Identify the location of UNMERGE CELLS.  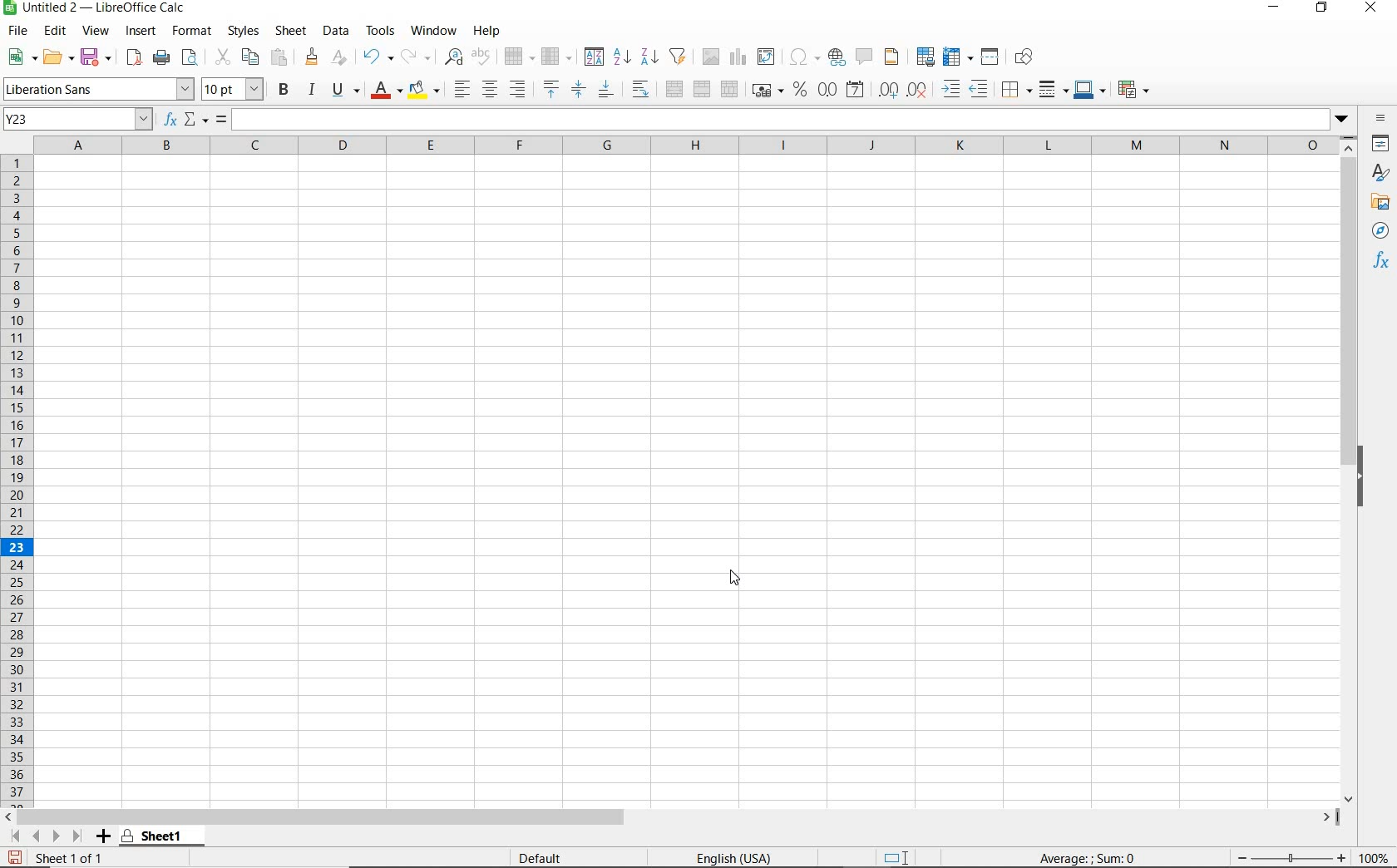
(729, 90).